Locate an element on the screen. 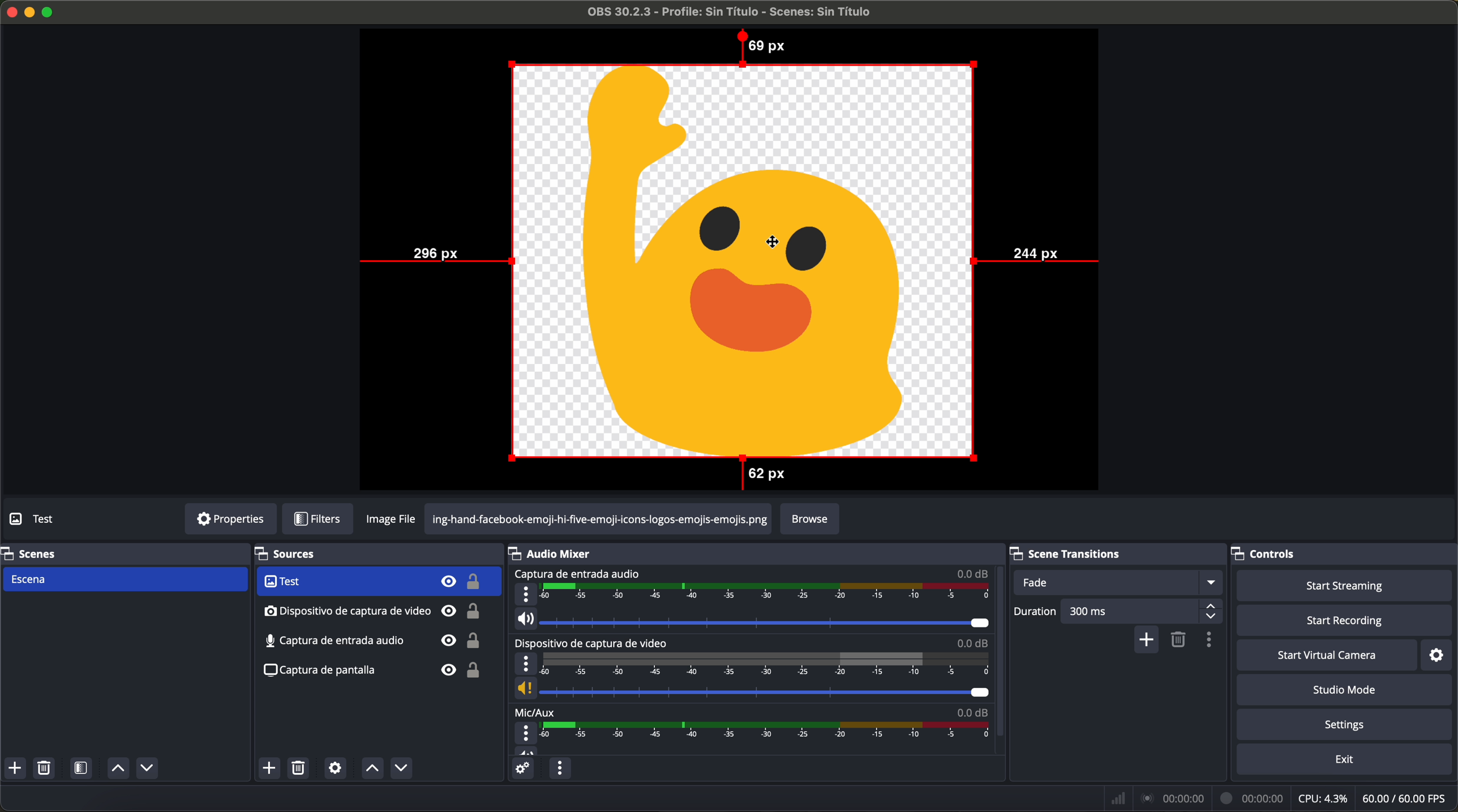 This screenshot has height=812, width=1458. studio mode is located at coordinates (1345, 690).